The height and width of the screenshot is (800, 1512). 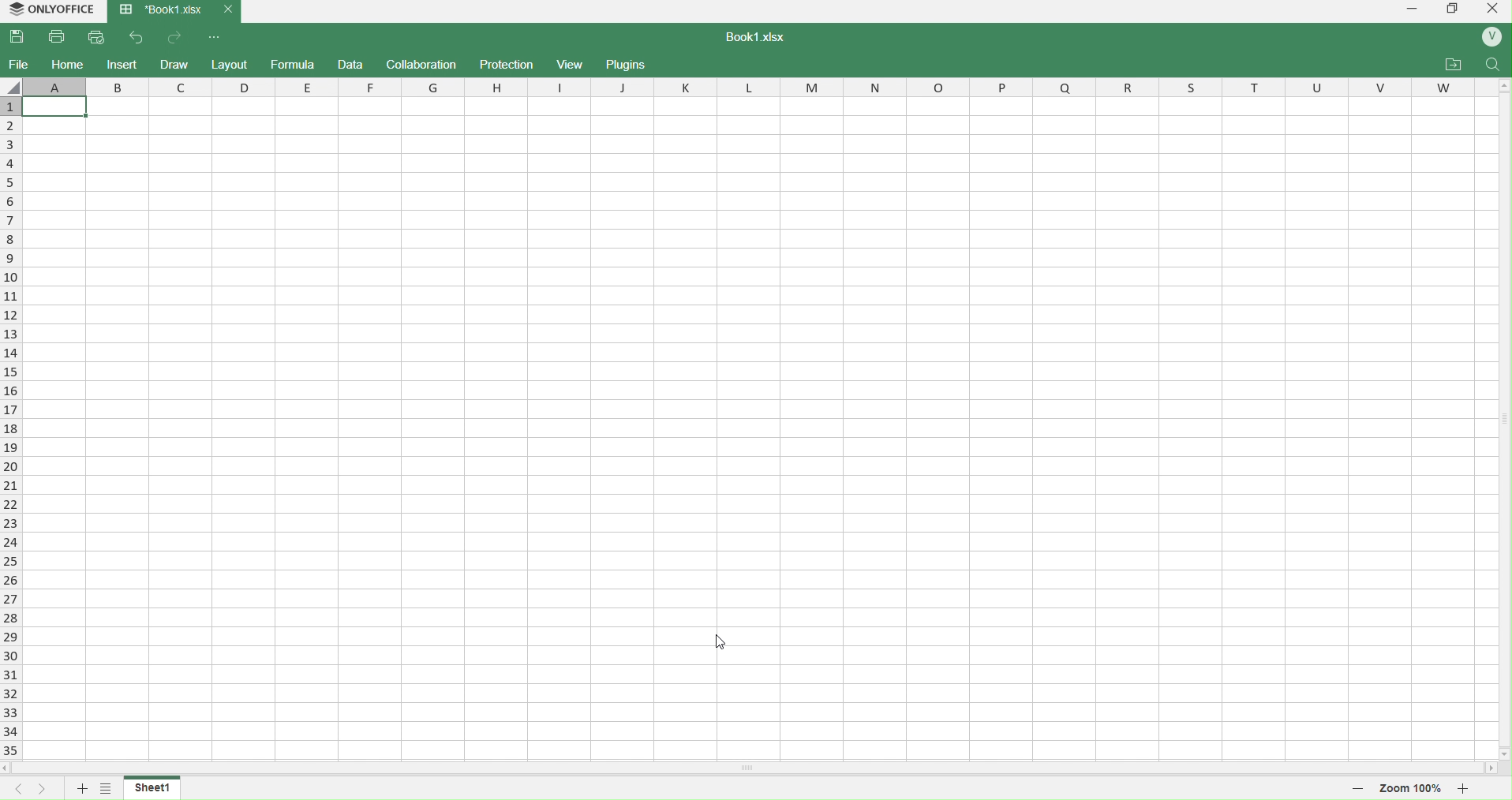 I want to click on plugins, so click(x=631, y=65).